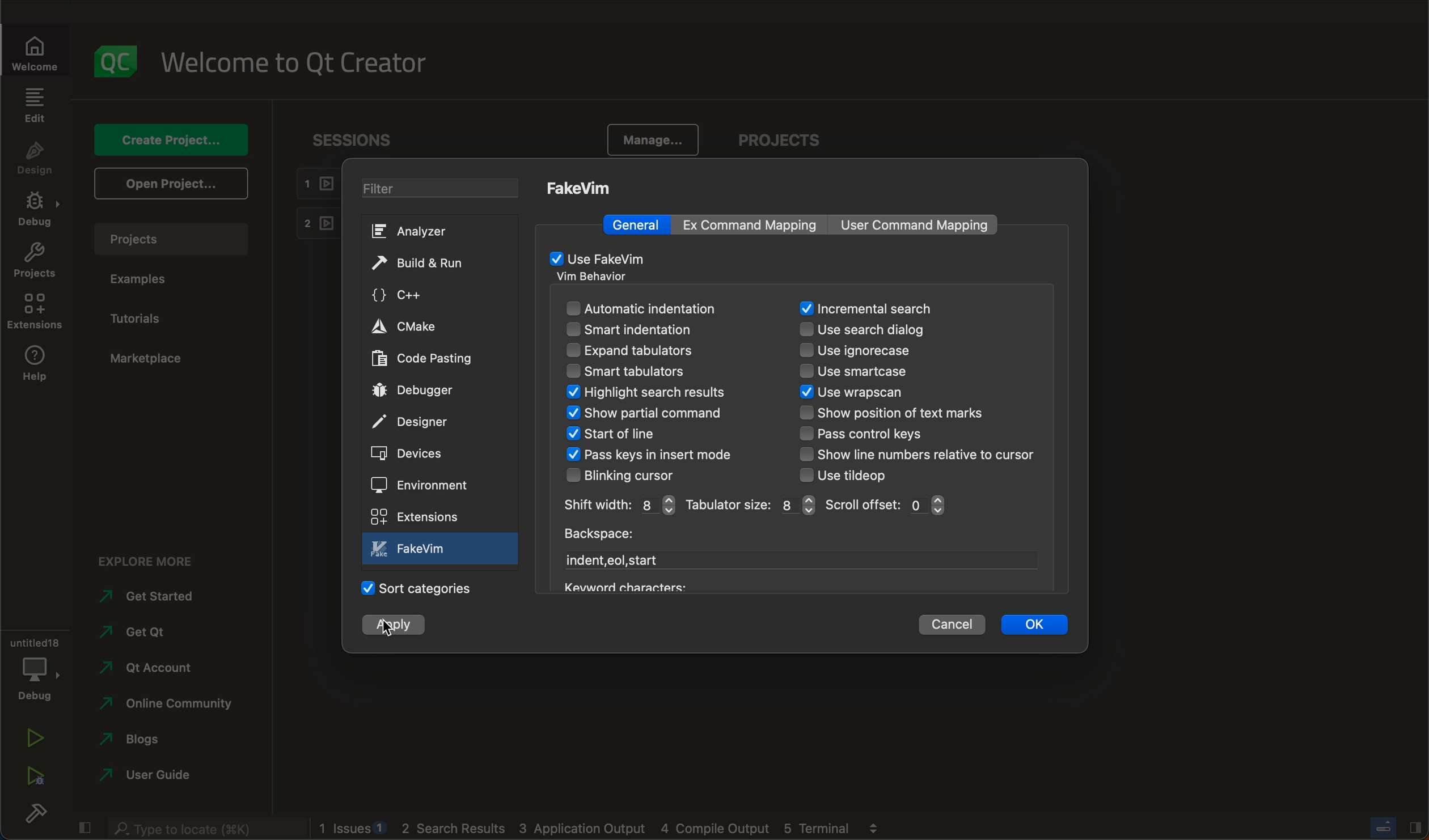 The width and height of the screenshot is (1429, 840). Describe the element at coordinates (36, 667) in the screenshot. I see `debug` at that location.